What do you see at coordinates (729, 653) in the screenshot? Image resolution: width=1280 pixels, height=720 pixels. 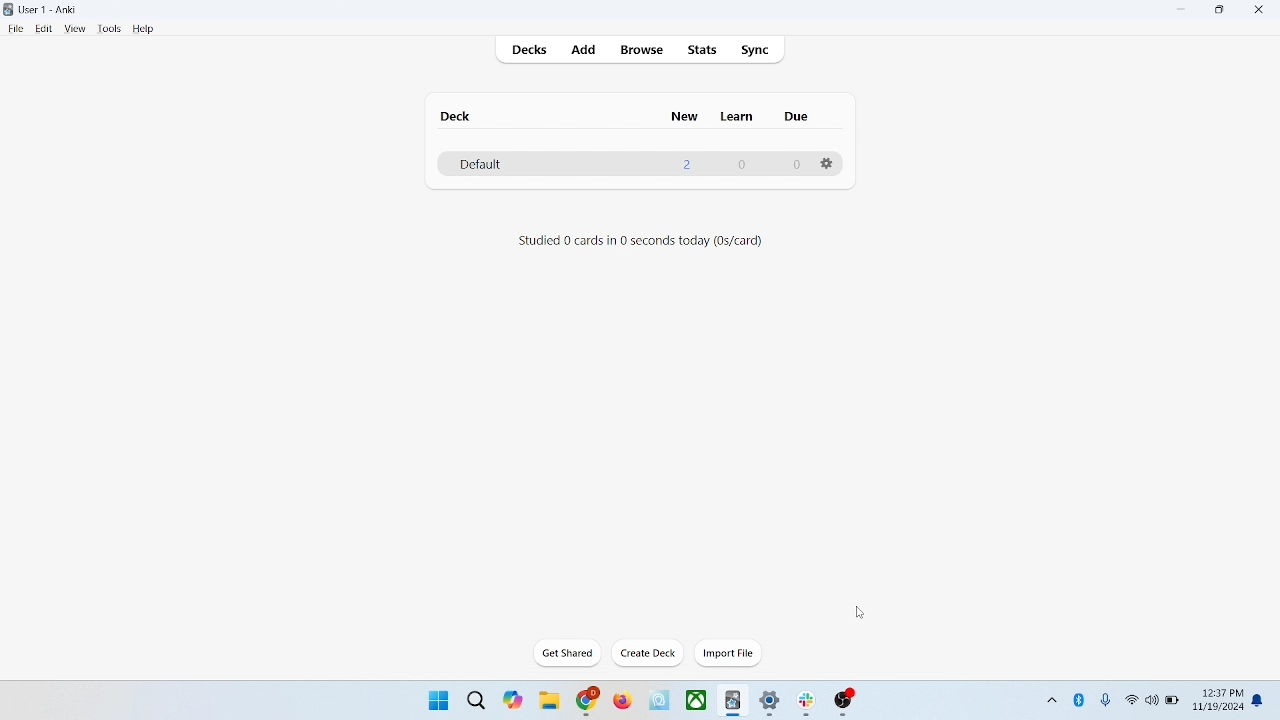 I see `import file` at bounding box center [729, 653].